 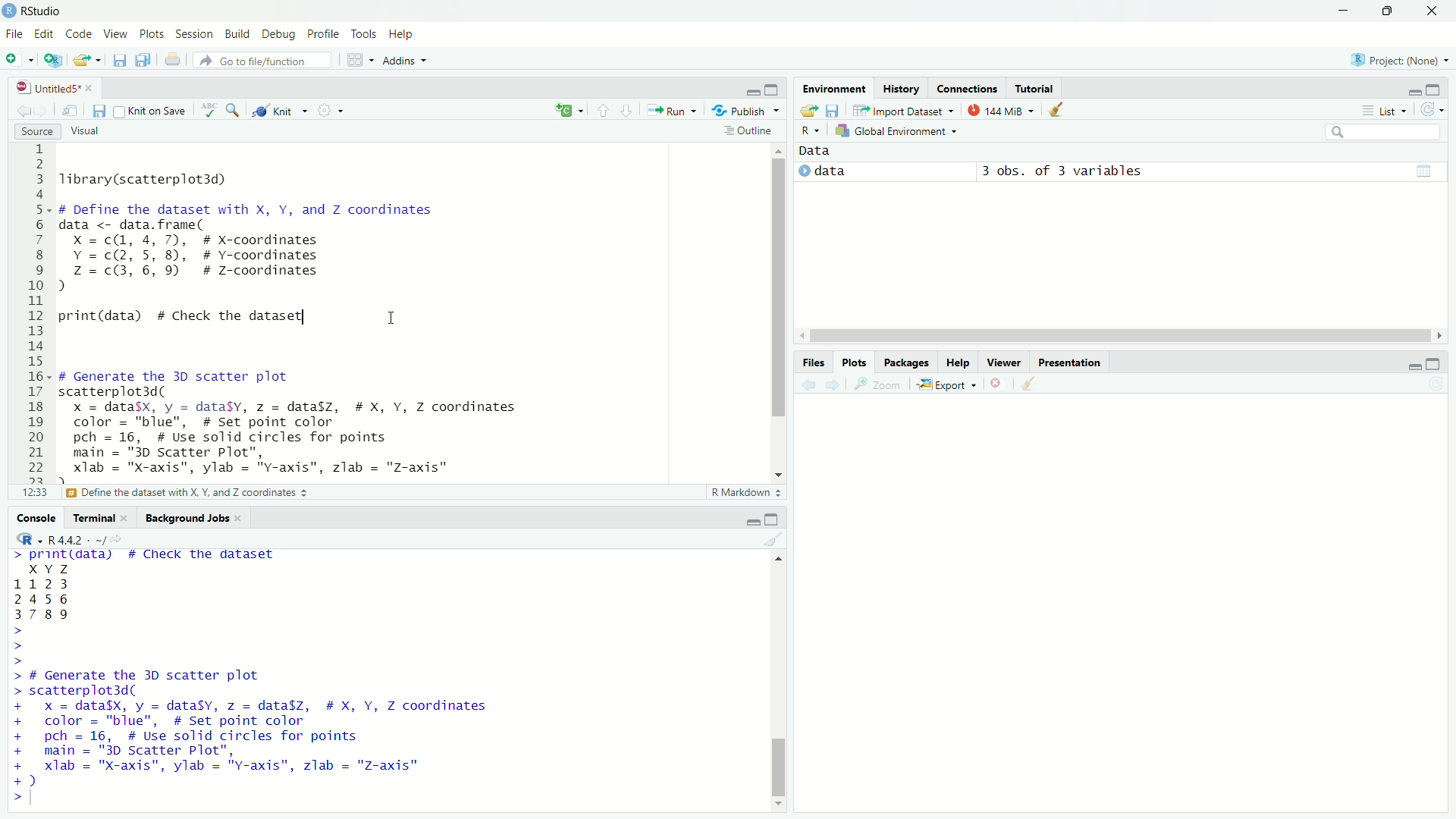 What do you see at coordinates (748, 110) in the screenshot?
I see `publish` at bounding box center [748, 110].